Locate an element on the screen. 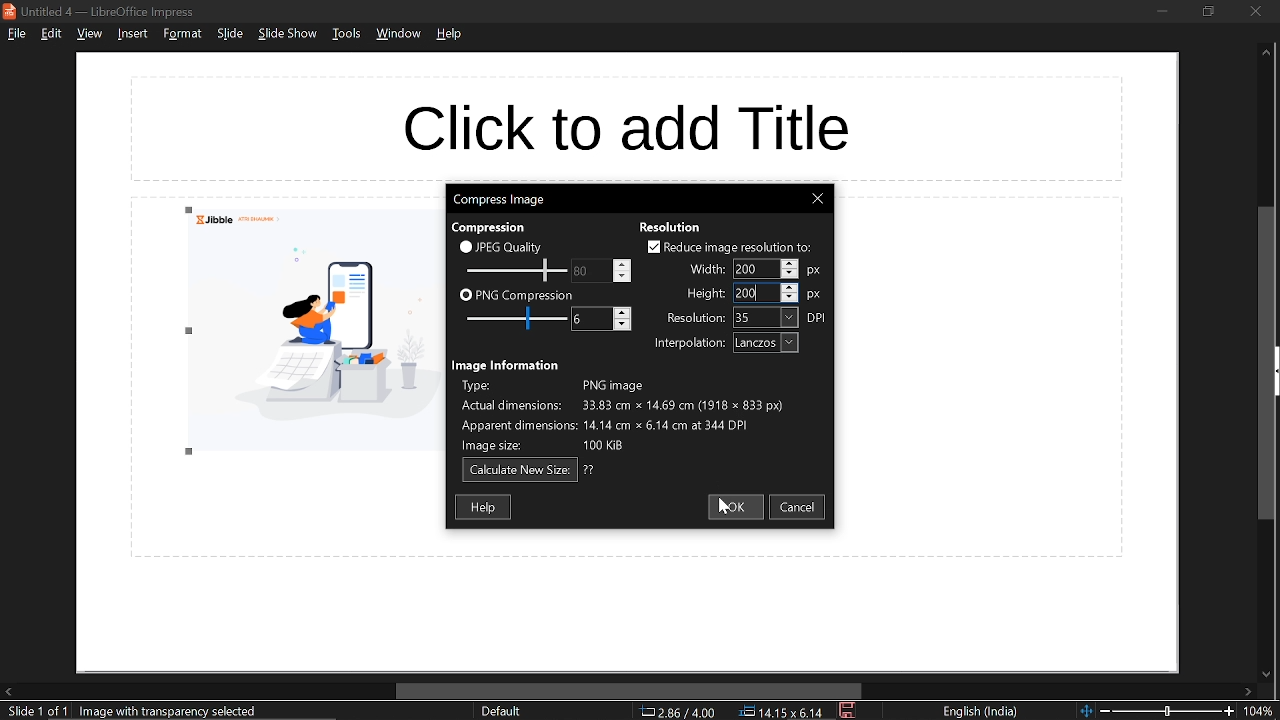 Image resolution: width=1280 pixels, height=720 pixels. increase width is located at coordinates (789, 262).